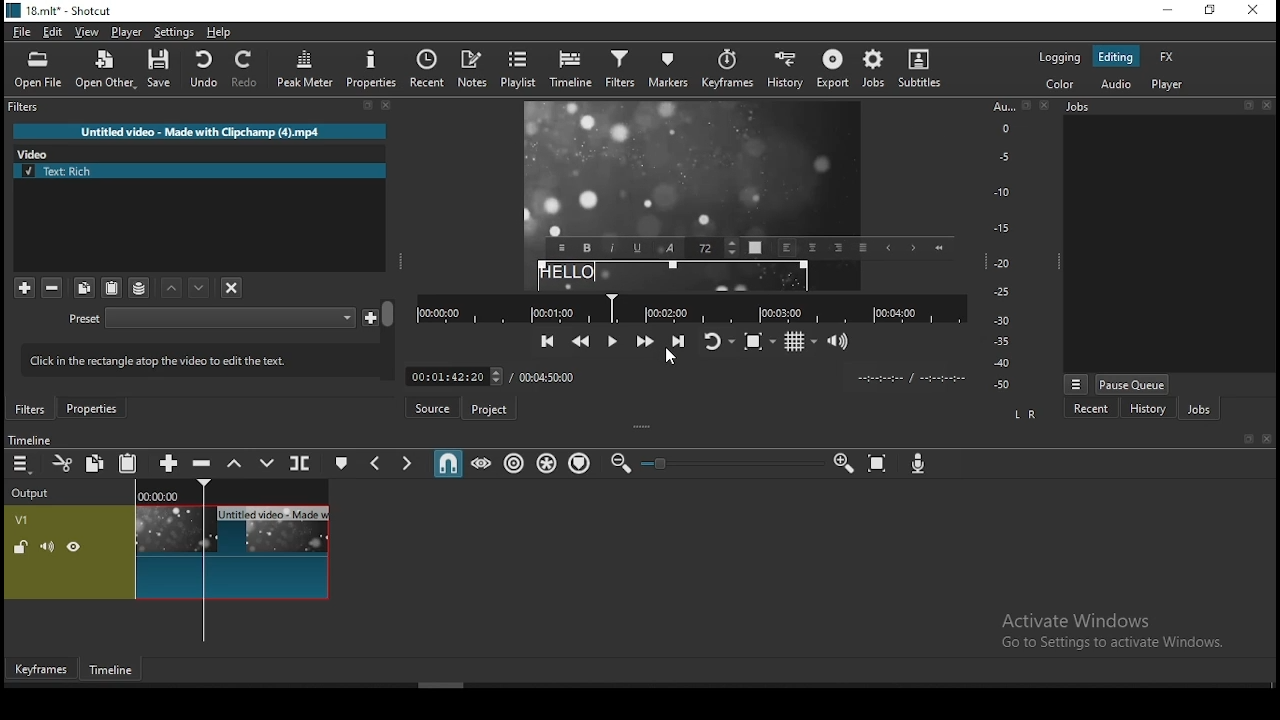 The image size is (1280, 720). What do you see at coordinates (42, 669) in the screenshot?
I see `keyframes` at bounding box center [42, 669].